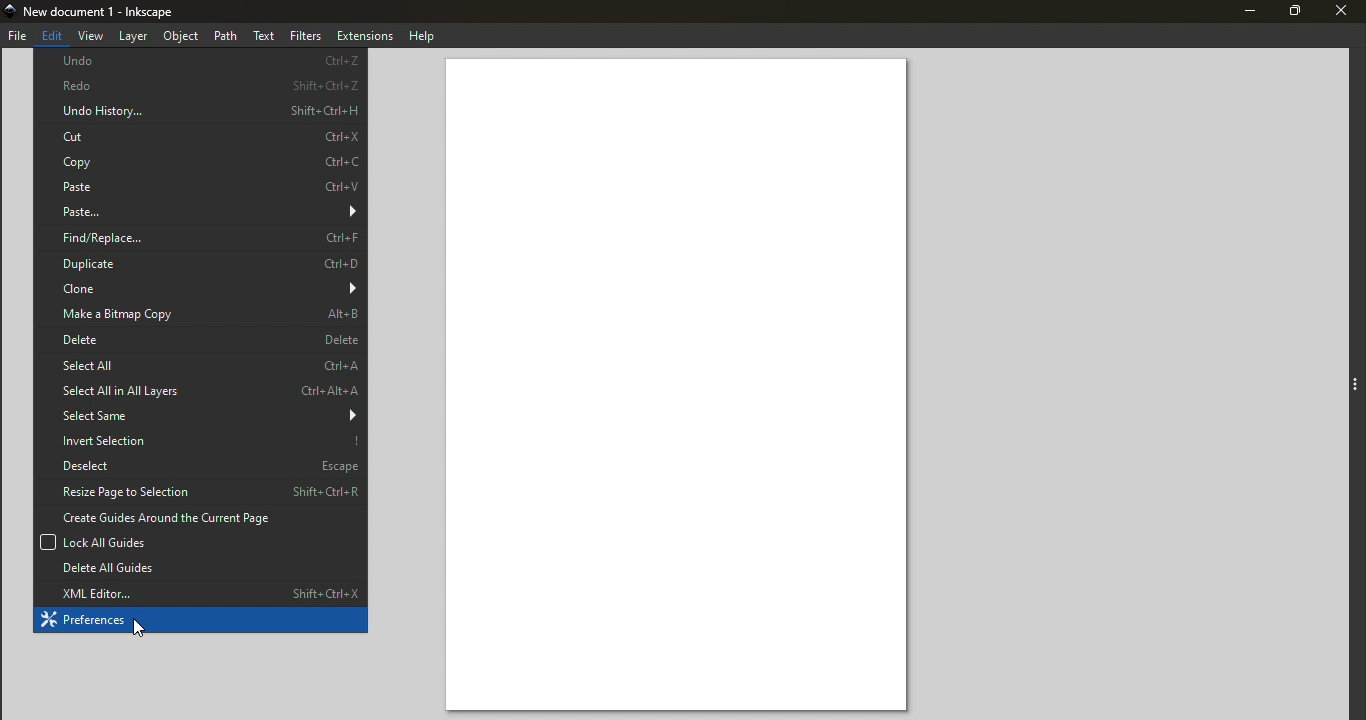  What do you see at coordinates (199, 342) in the screenshot?
I see `Delete` at bounding box center [199, 342].